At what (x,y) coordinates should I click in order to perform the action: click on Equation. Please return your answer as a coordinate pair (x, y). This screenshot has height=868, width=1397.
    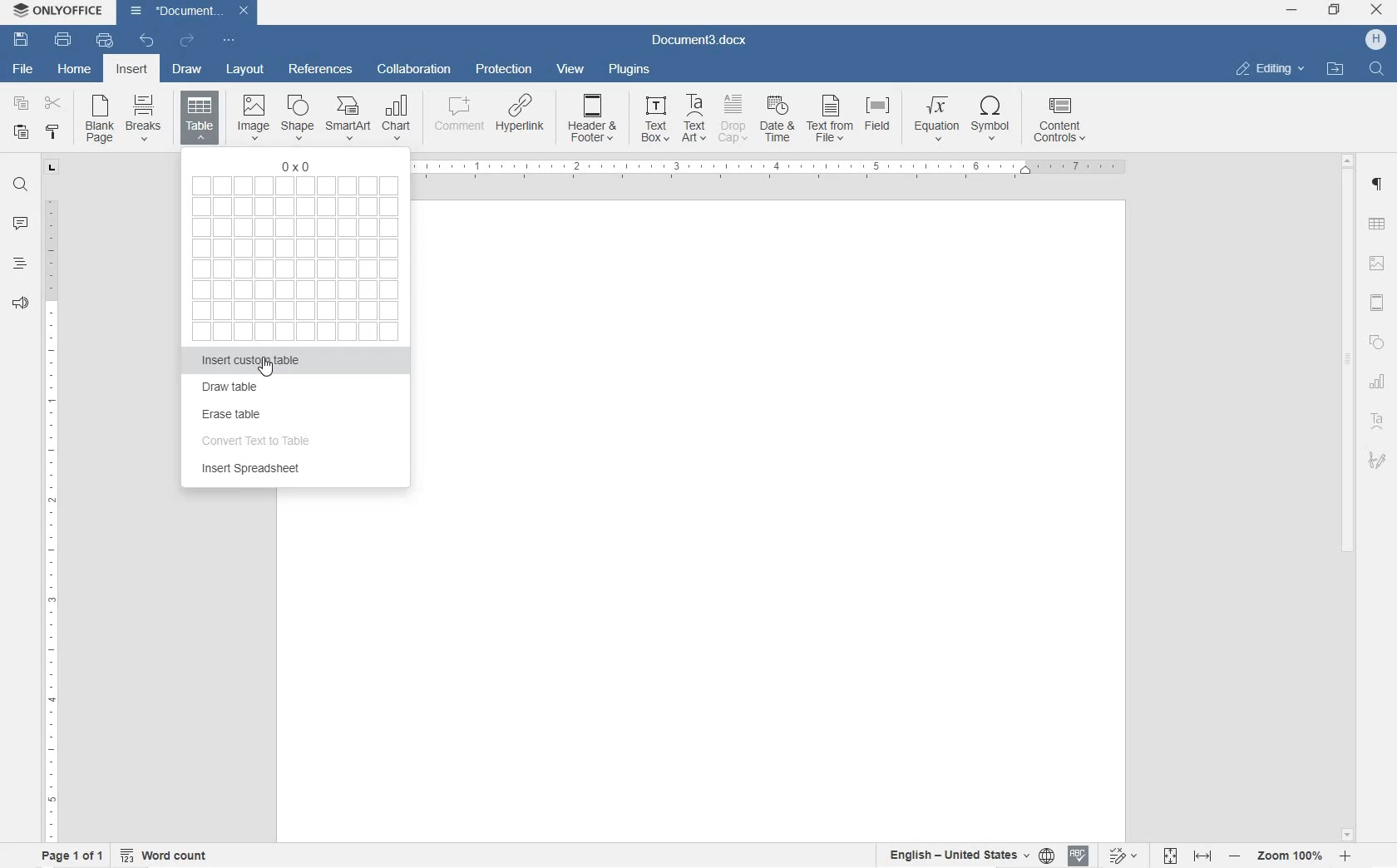
    Looking at the image, I should click on (936, 117).